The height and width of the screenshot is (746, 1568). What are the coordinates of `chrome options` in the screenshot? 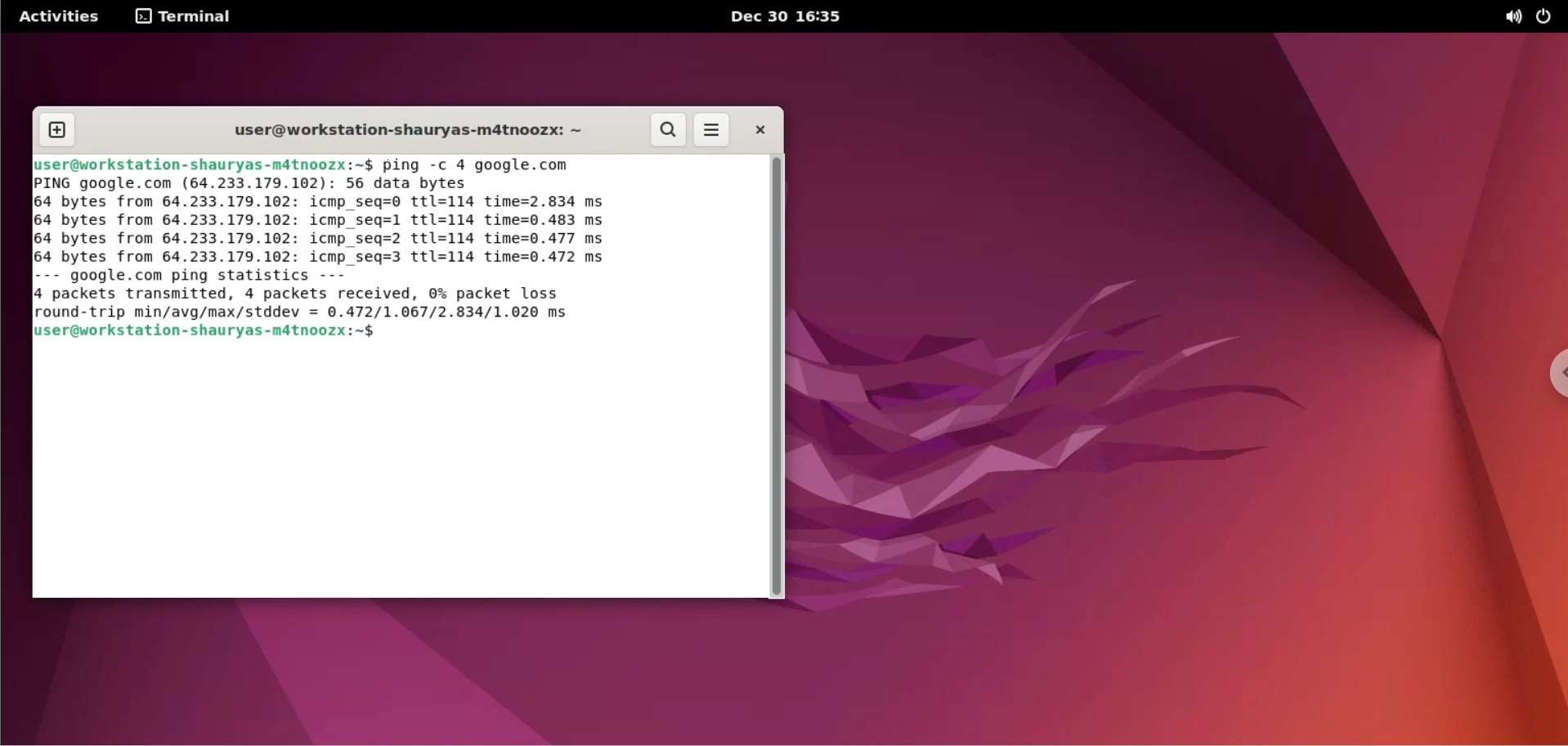 It's located at (1550, 378).